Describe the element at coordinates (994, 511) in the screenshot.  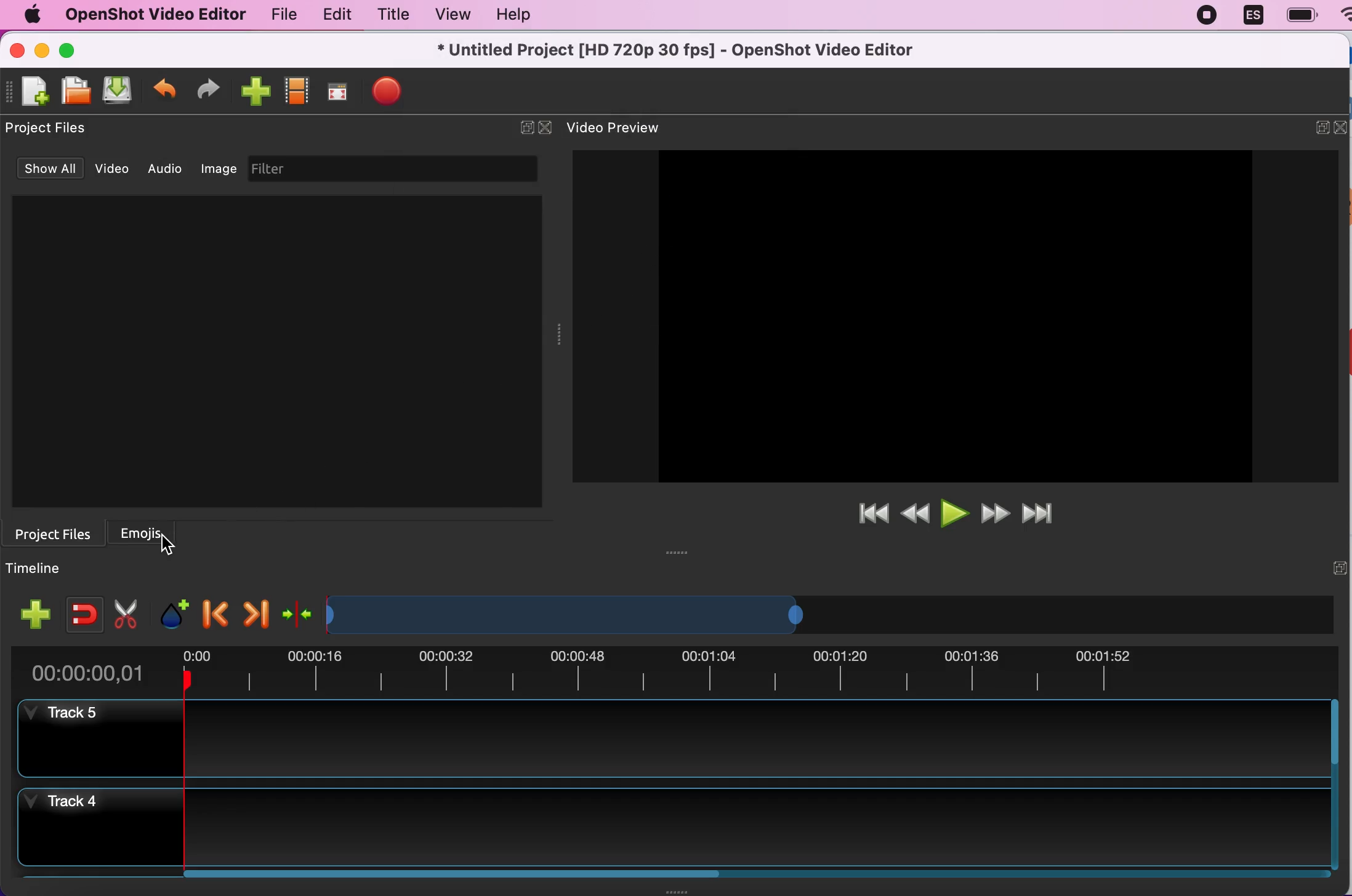
I see `fast forward` at that location.